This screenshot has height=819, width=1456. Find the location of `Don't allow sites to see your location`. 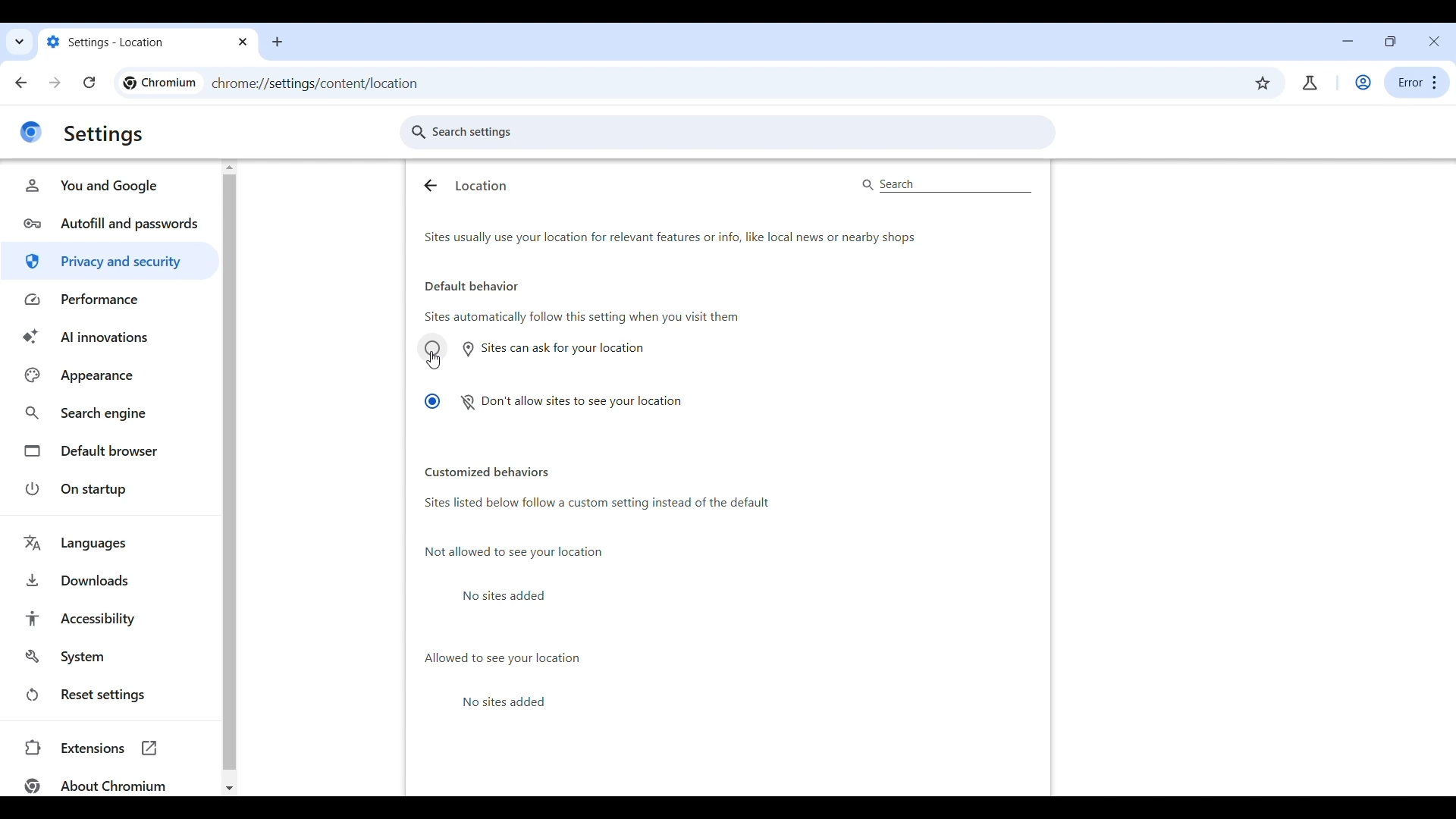

Don't allow sites to see your location is located at coordinates (552, 402).